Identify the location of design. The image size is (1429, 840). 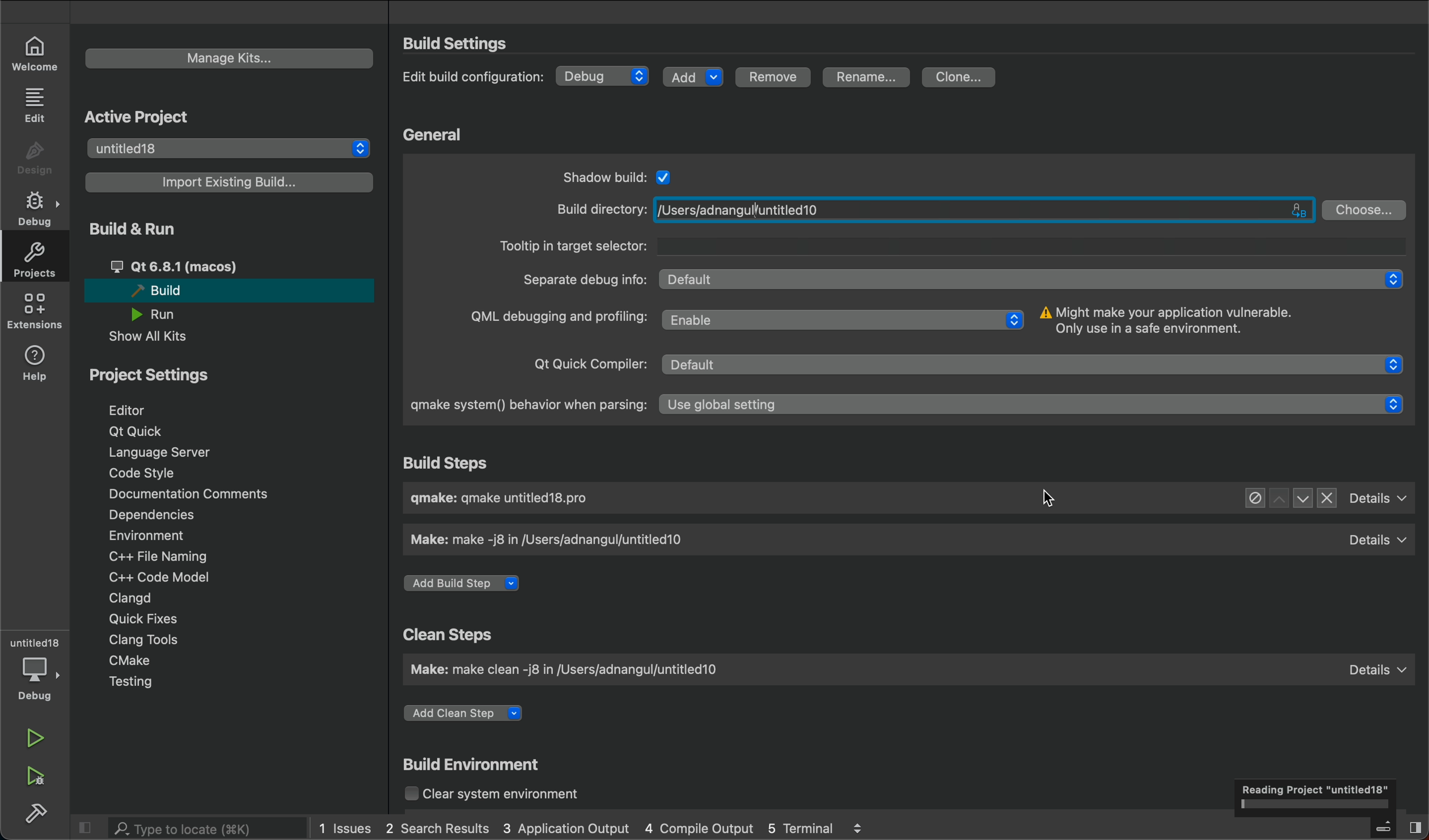
(33, 156).